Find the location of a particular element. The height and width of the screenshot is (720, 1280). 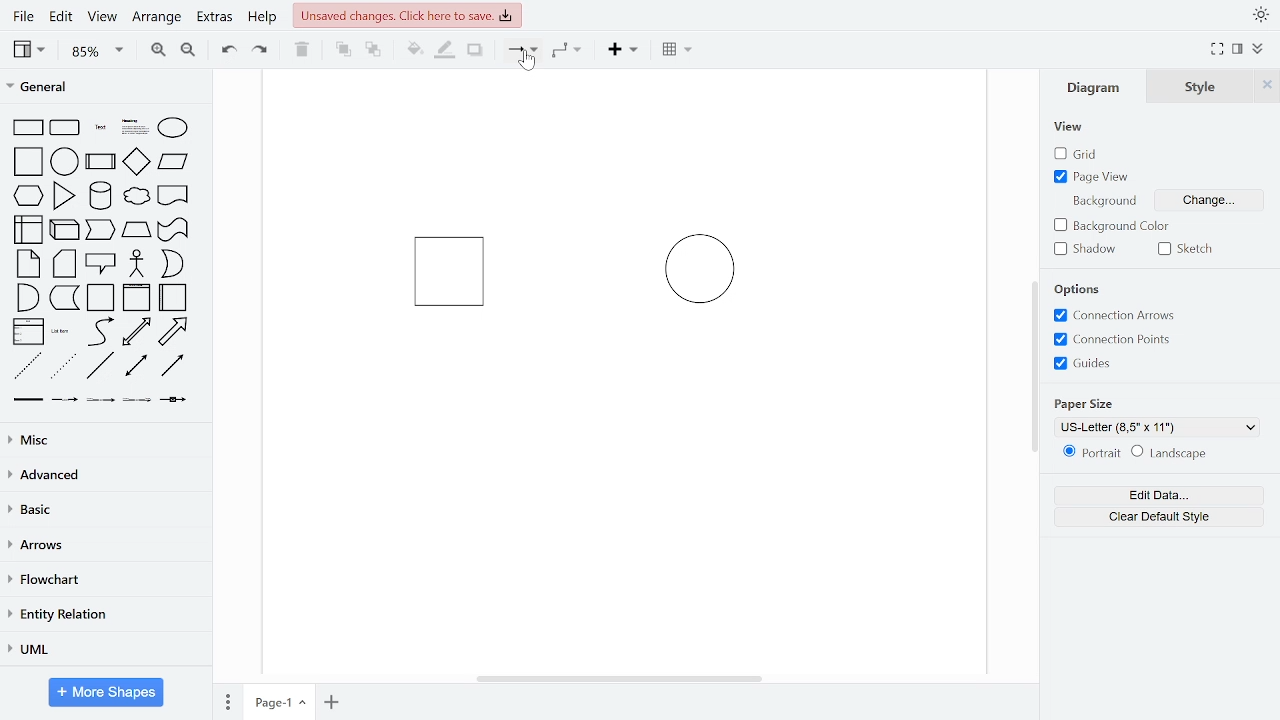

rectangle is located at coordinates (28, 128).